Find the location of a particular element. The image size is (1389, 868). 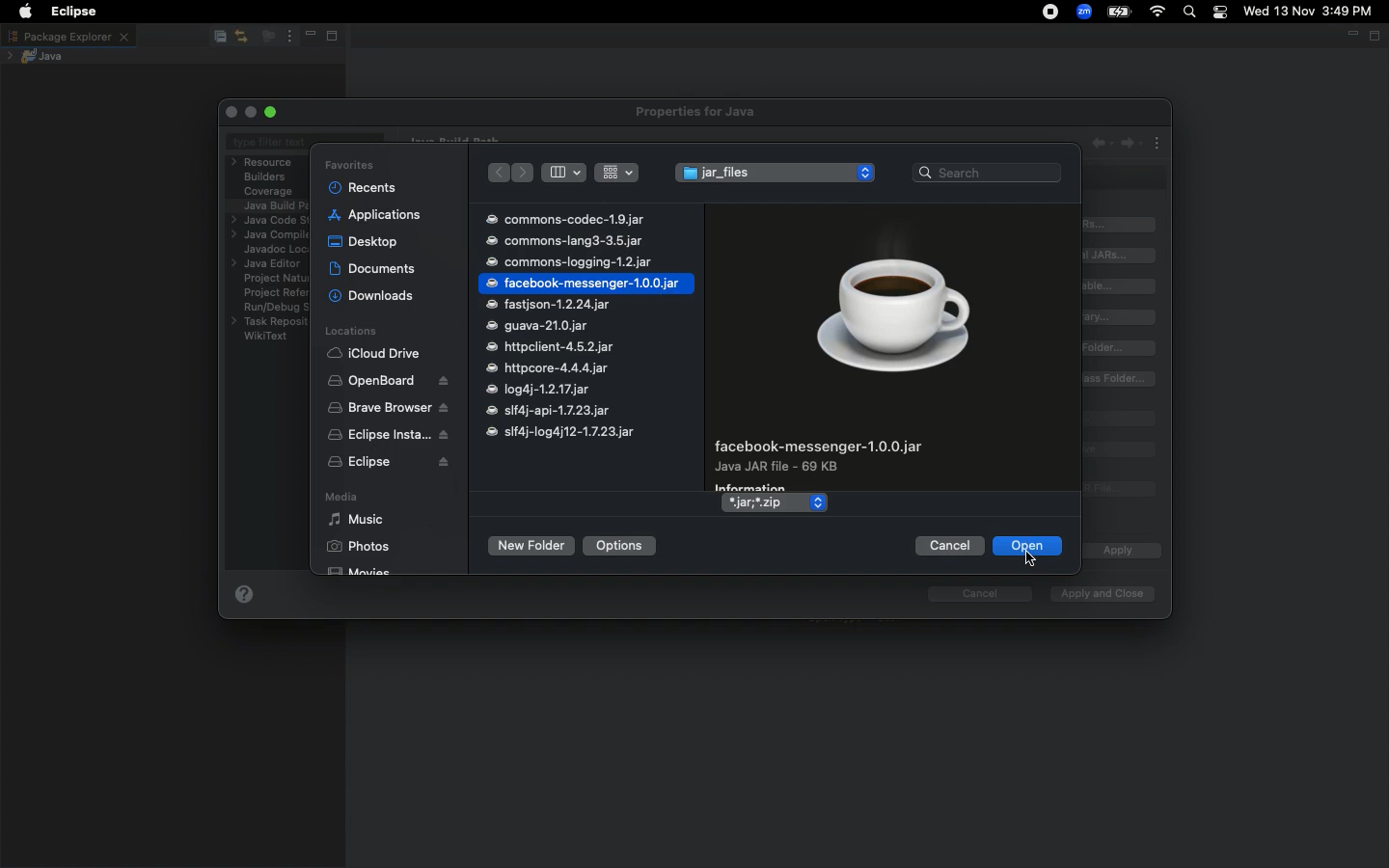

Wed 13 Nov 3:49 PM is located at coordinates (1309, 10).